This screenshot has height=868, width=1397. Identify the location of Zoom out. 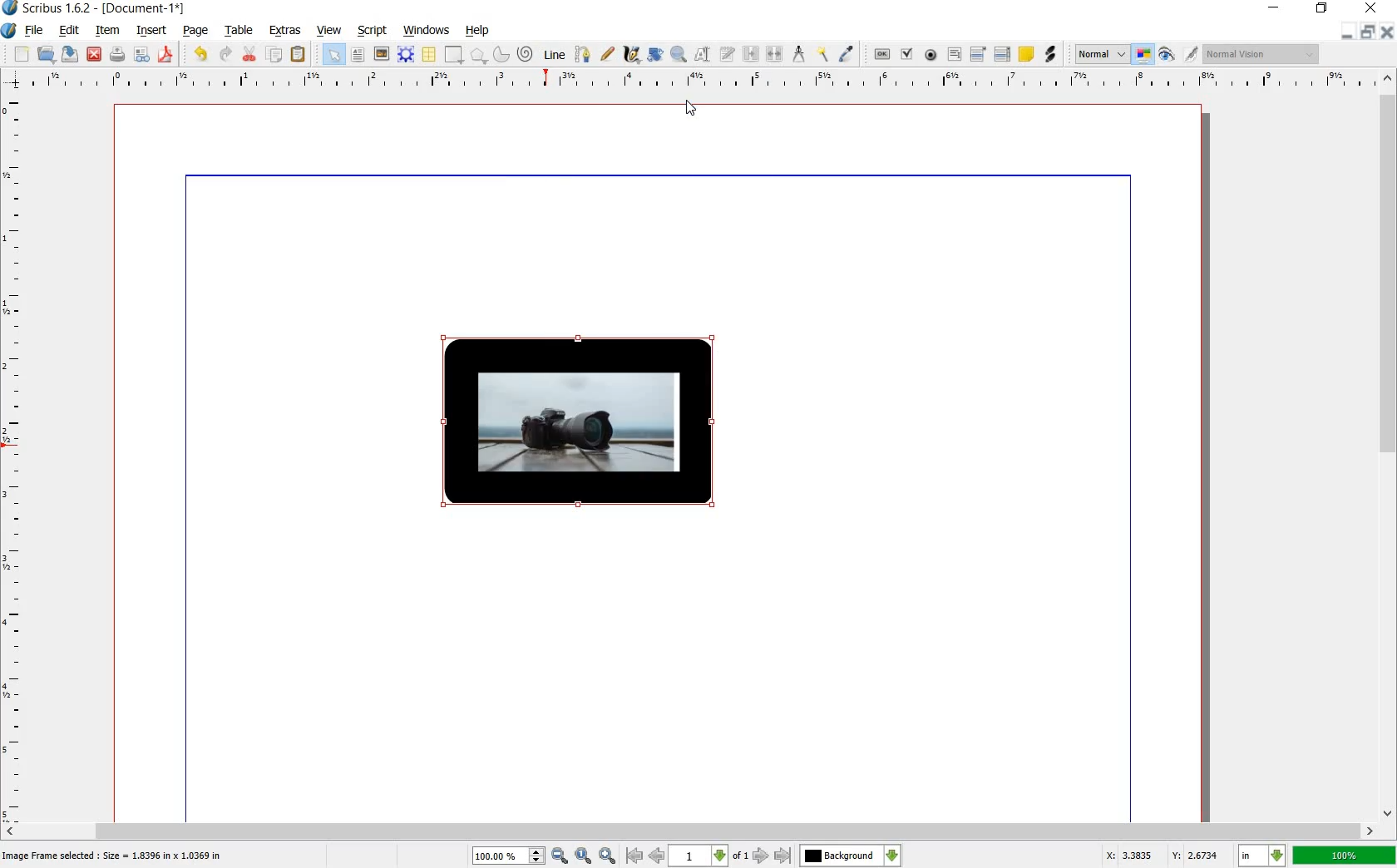
(610, 856).